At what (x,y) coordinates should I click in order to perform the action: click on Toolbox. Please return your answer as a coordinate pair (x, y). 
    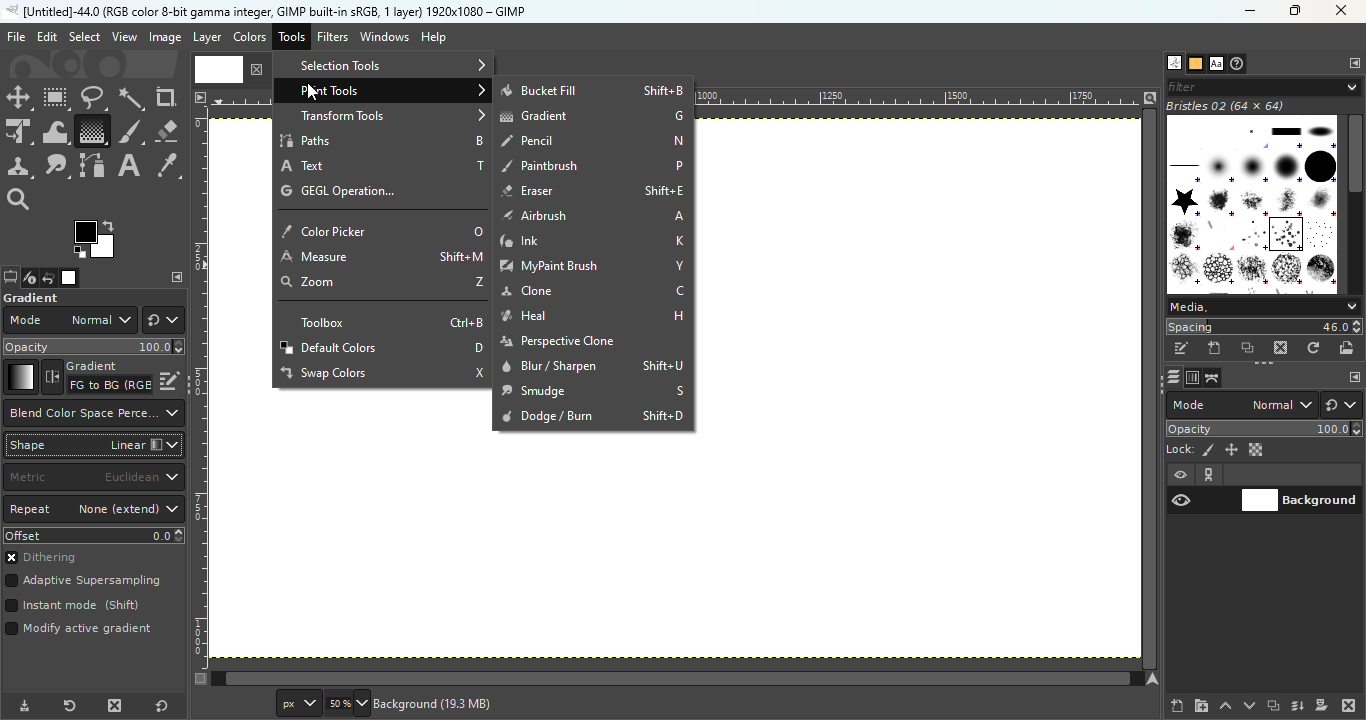
    Looking at the image, I should click on (381, 321).